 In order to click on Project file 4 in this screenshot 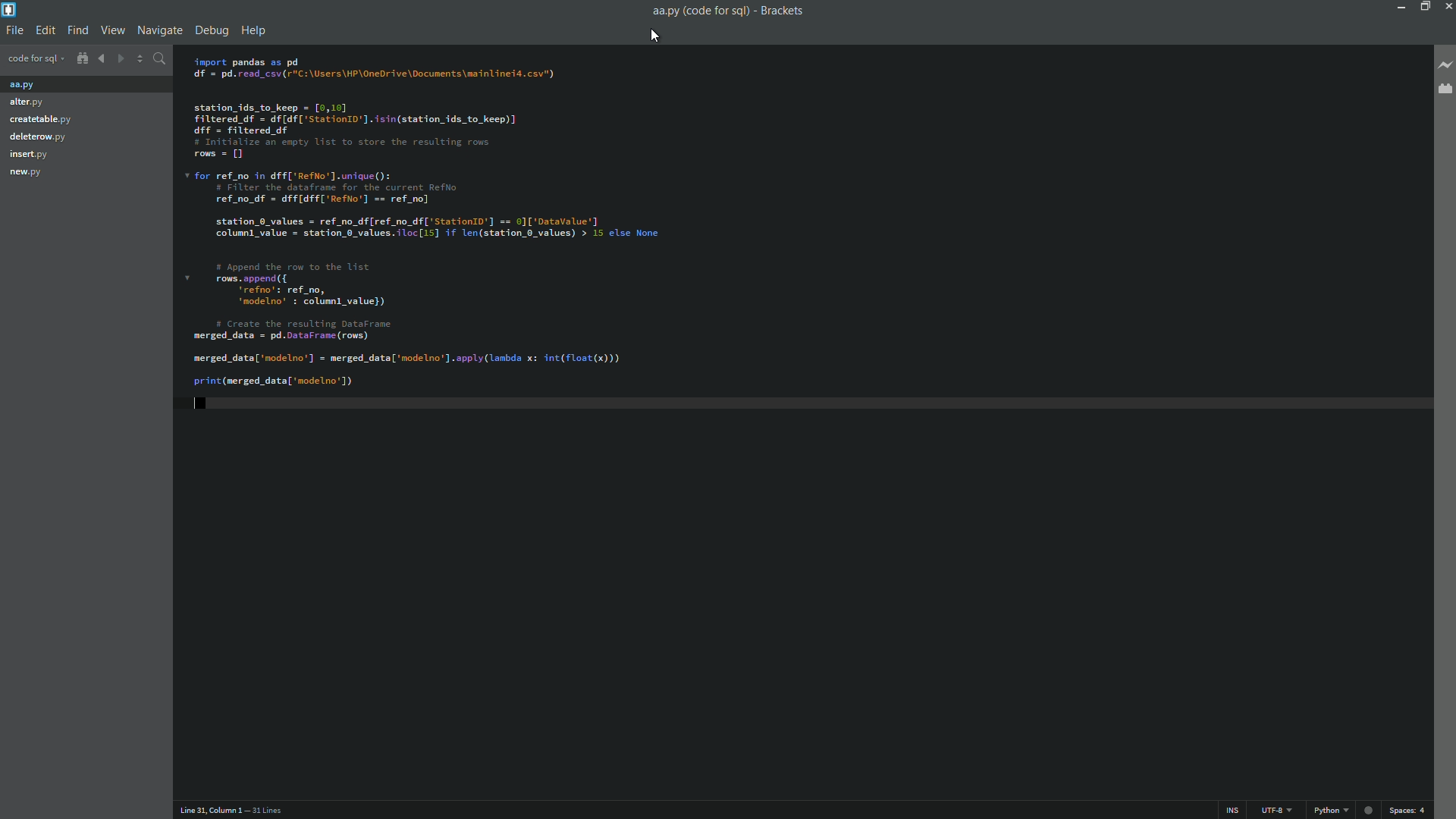, I will do `click(45, 136)`.